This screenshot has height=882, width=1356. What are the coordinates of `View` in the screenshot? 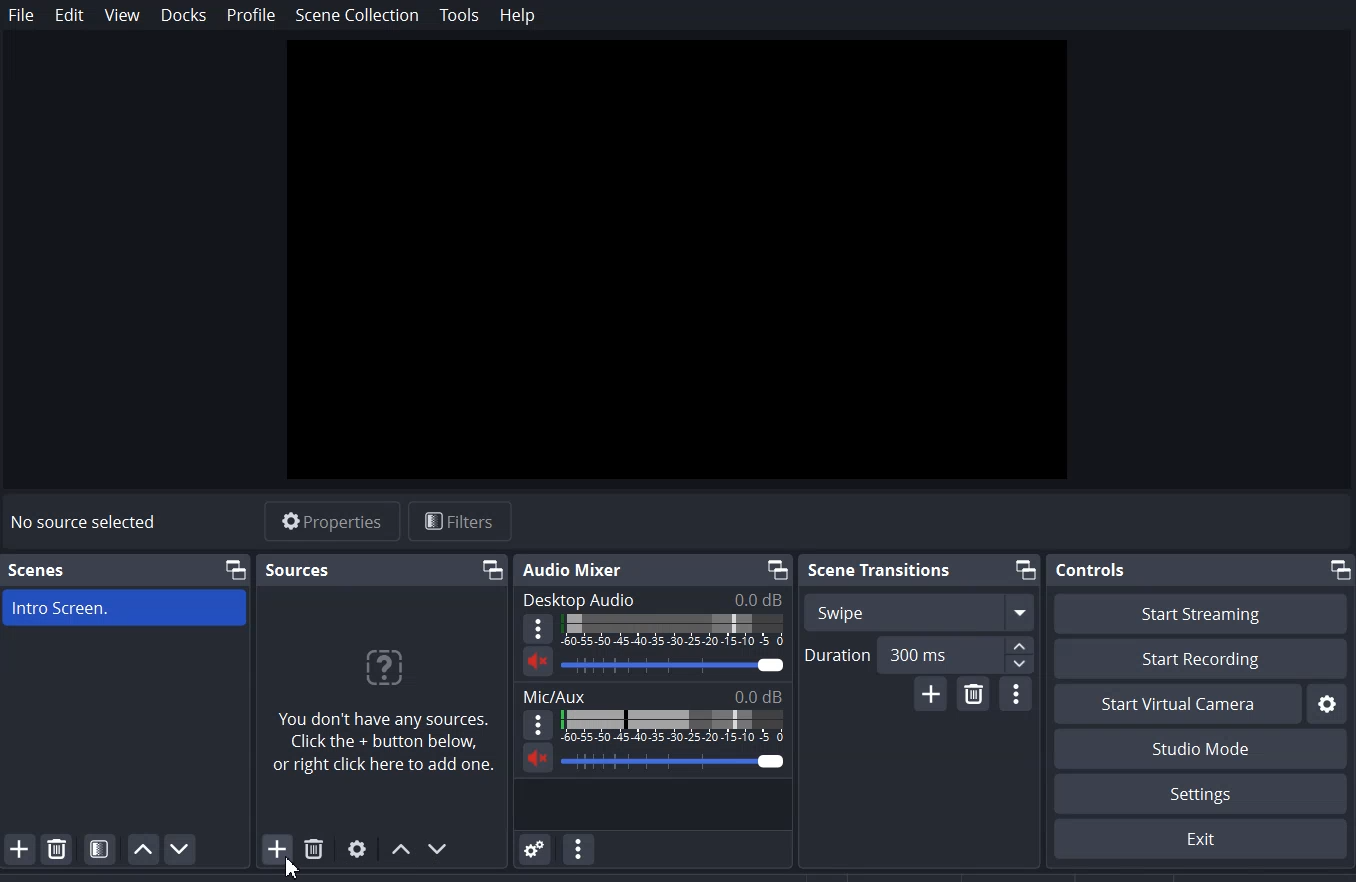 It's located at (122, 15).